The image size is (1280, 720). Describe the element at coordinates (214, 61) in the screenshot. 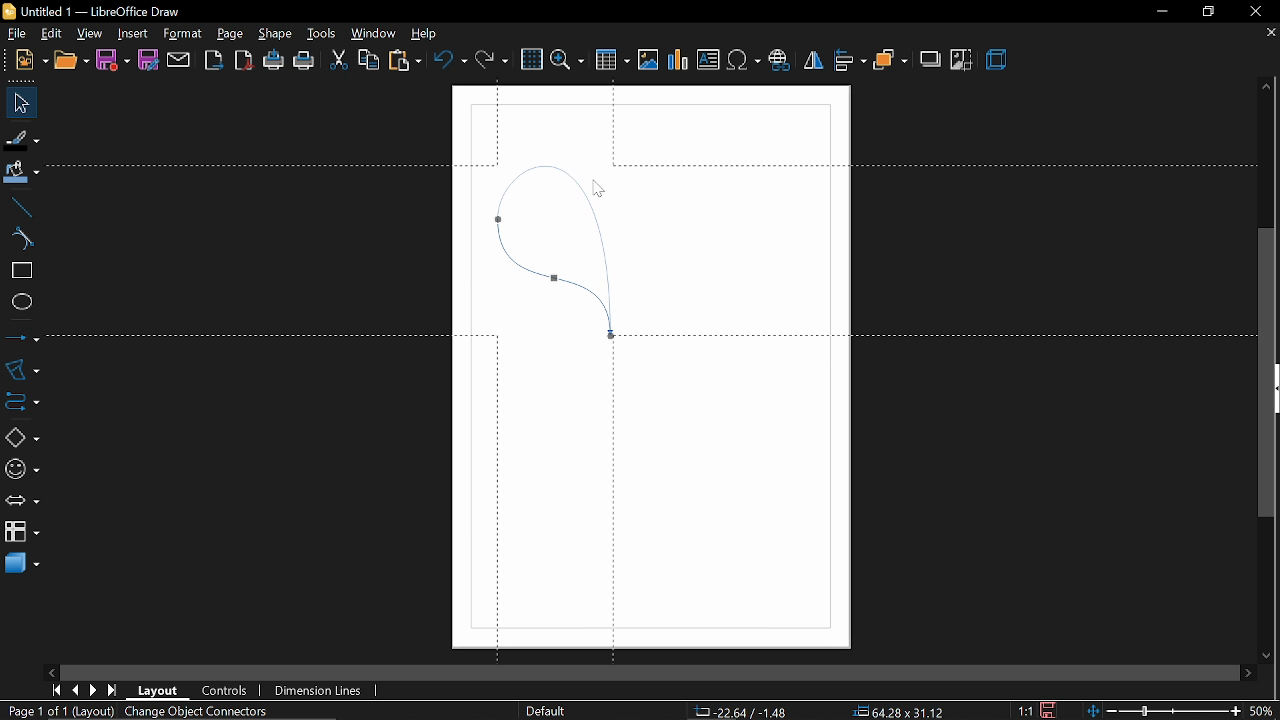

I see `export` at that location.